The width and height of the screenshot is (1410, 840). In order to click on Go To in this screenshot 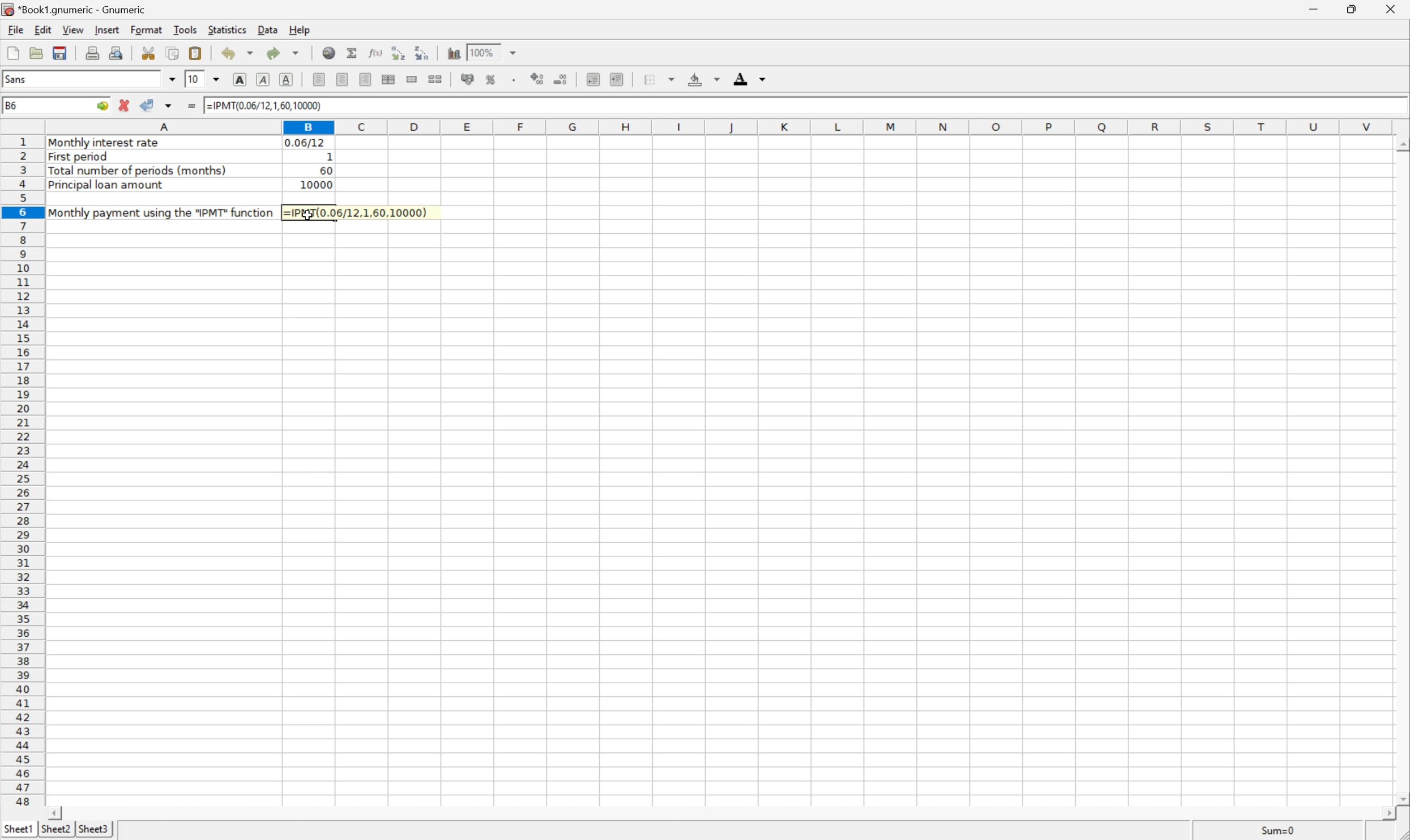, I will do `click(101, 107)`.